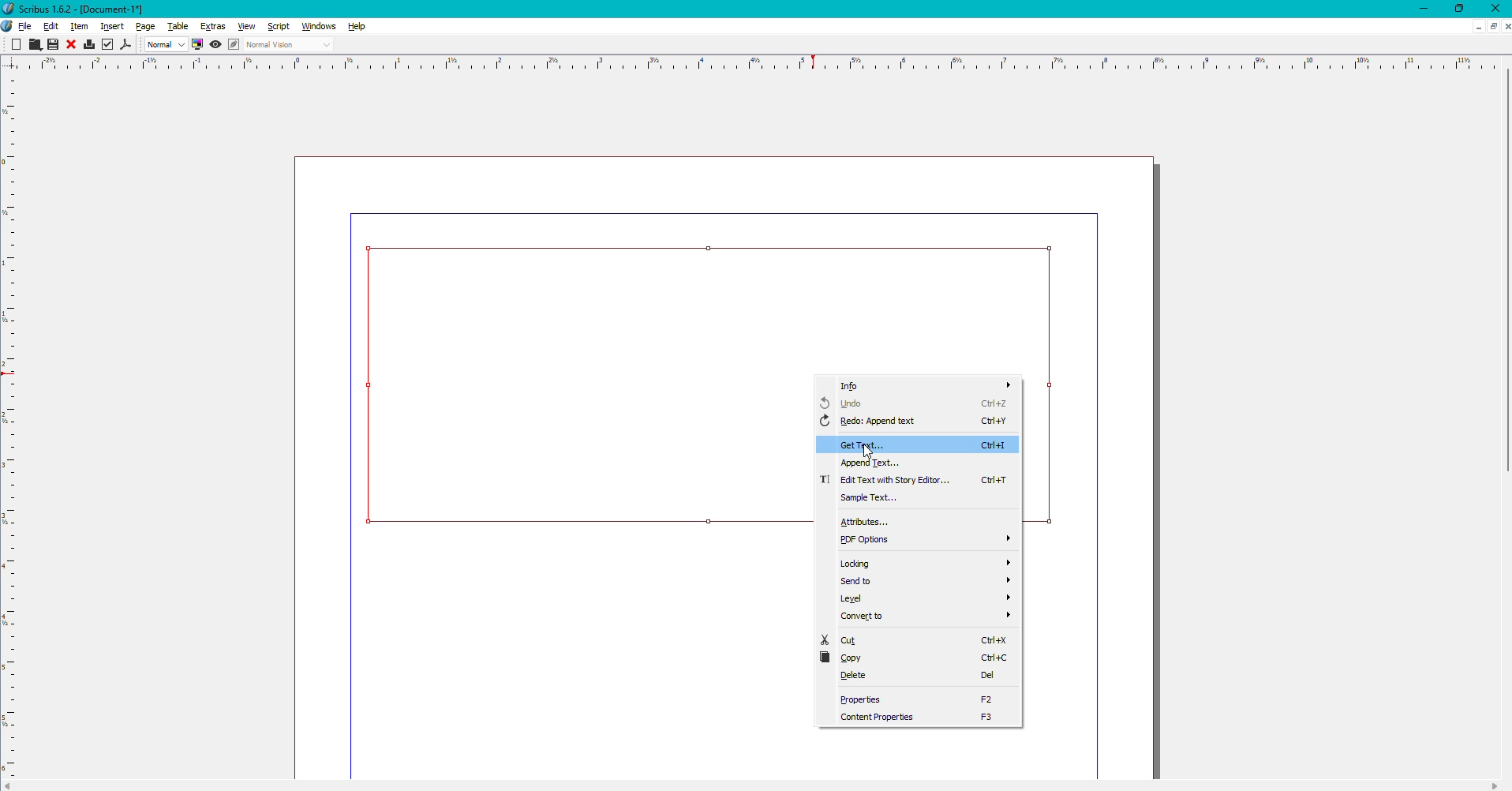 The image size is (1512, 791). What do you see at coordinates (107, 44) in the screenshot?
I see `Check` at bounding box center [107, 44].